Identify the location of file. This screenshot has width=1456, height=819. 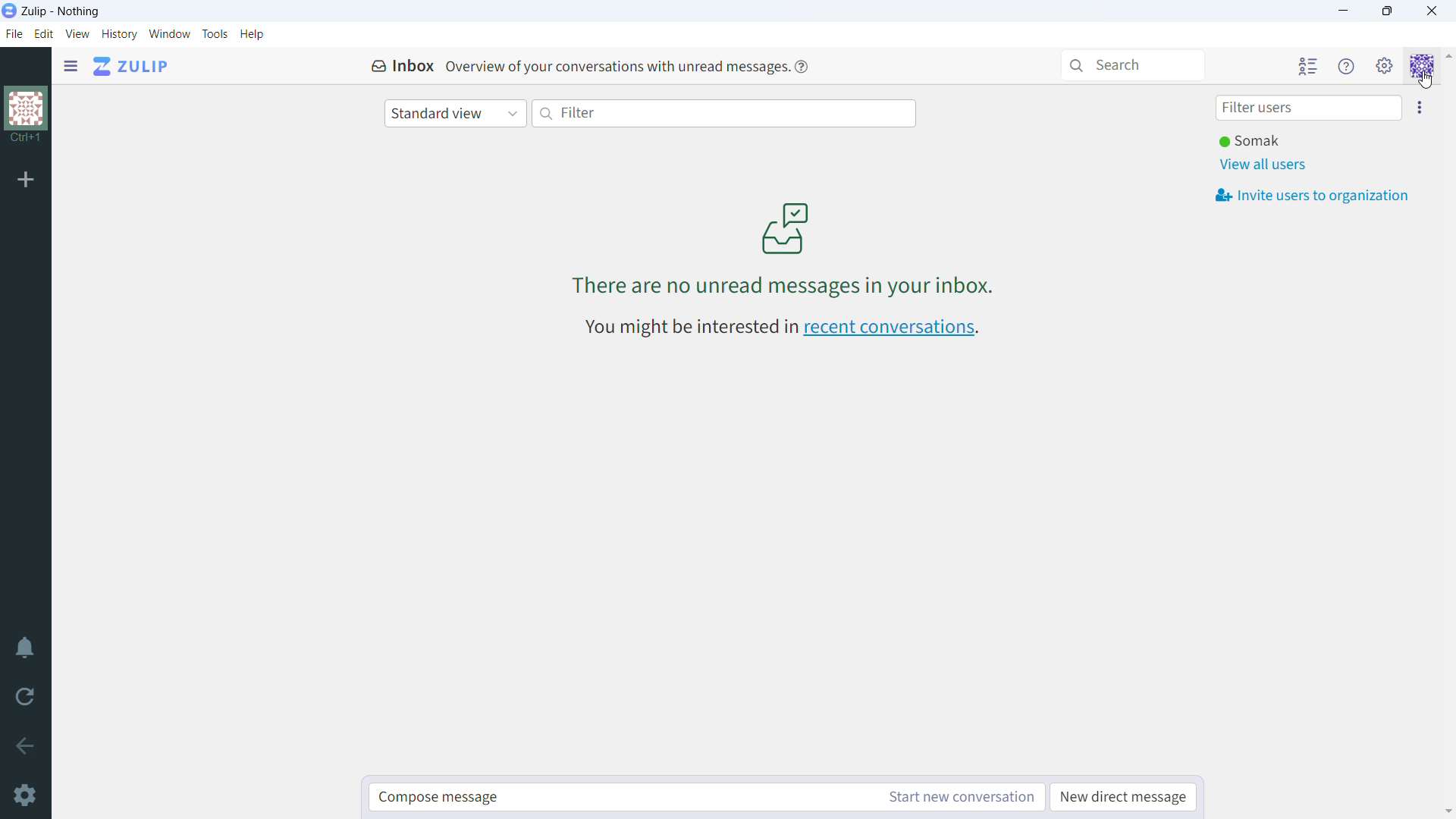
(14, 34).